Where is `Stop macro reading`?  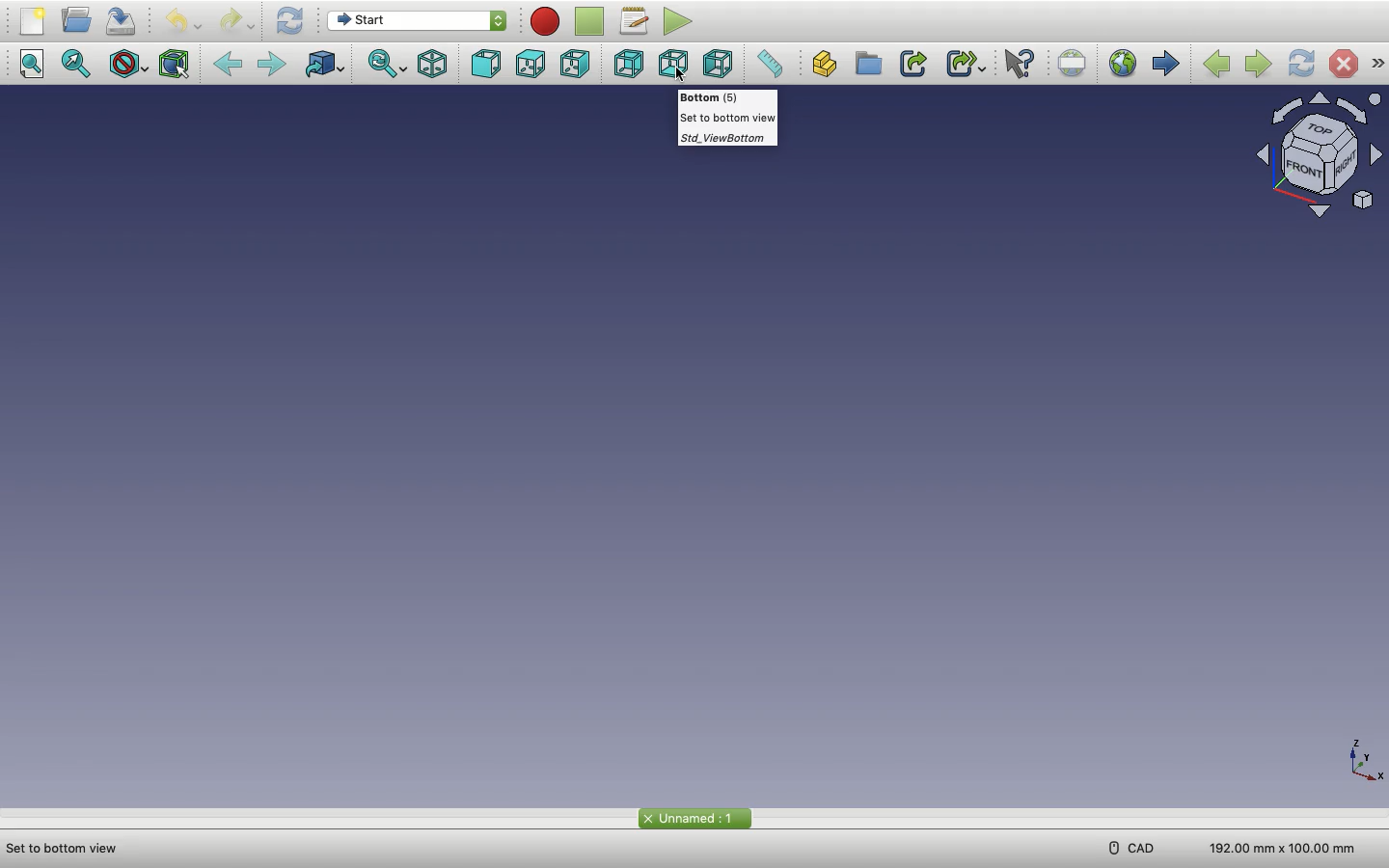
Stop macro reading is located at coordinates (592, 21).